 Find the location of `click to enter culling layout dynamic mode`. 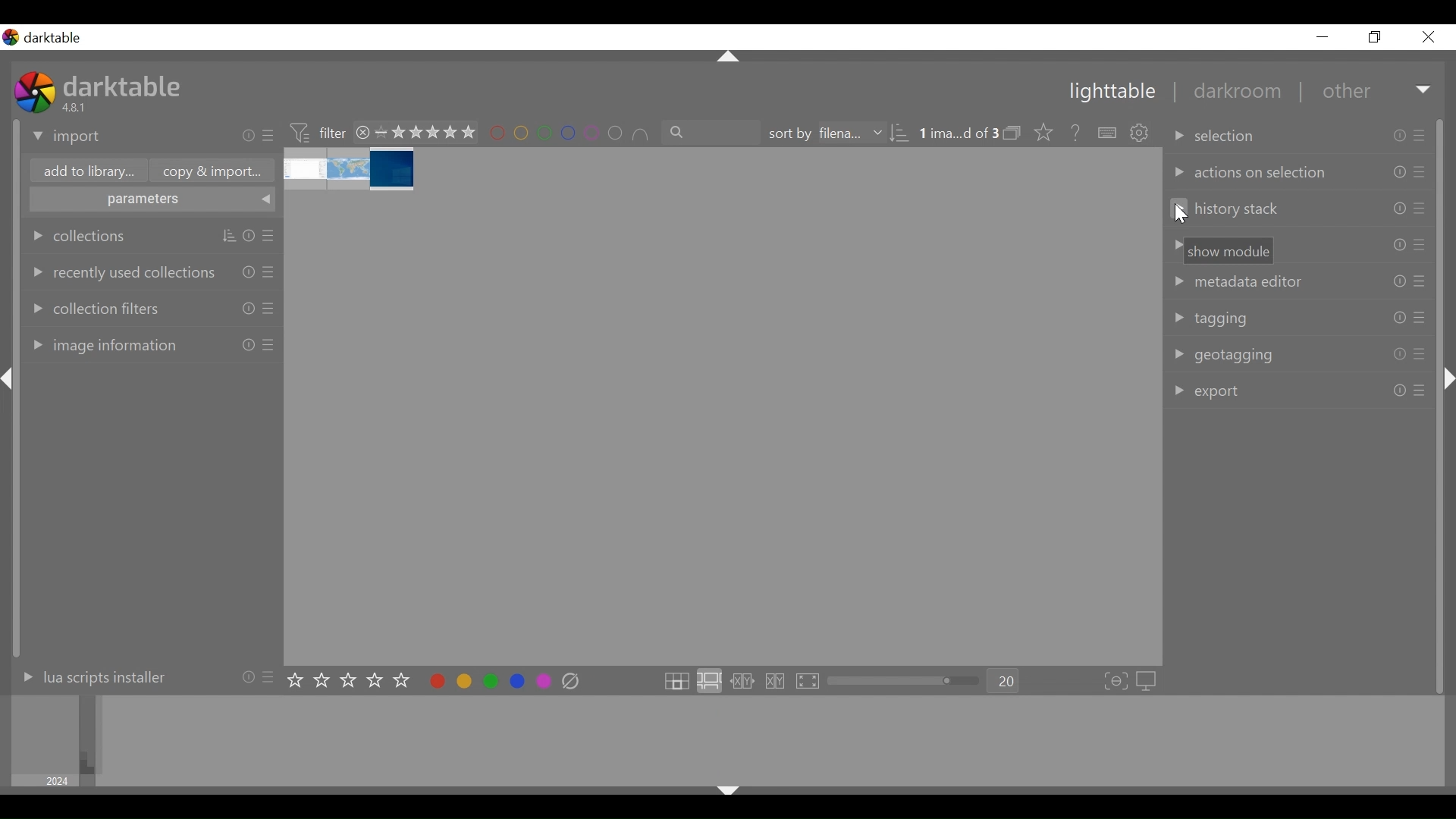

click to enter culling layout dynamic mode is located at coordinates (777, 682).